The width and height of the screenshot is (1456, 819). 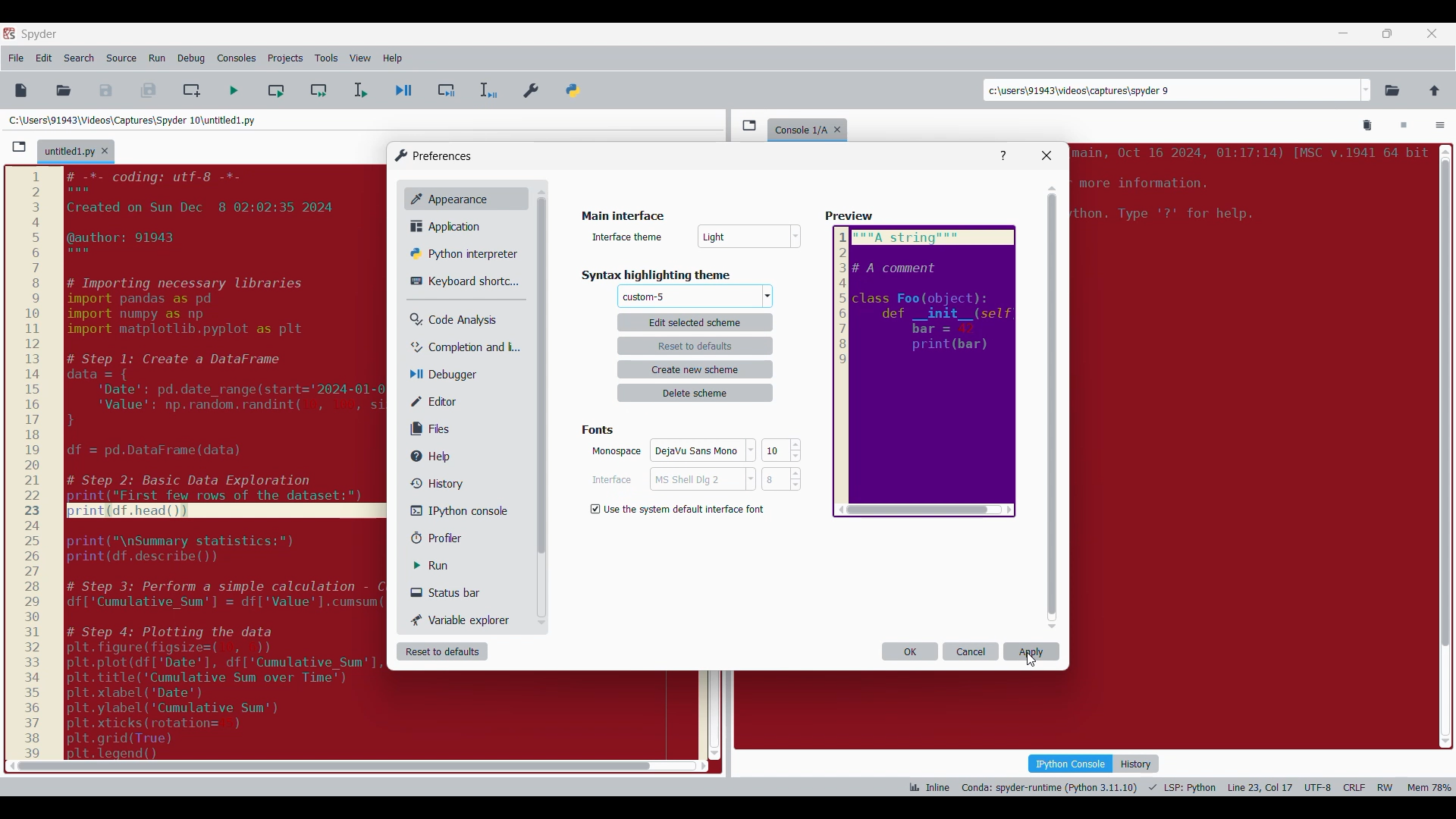 I want to click on View menu, so click(x=360, y=58).